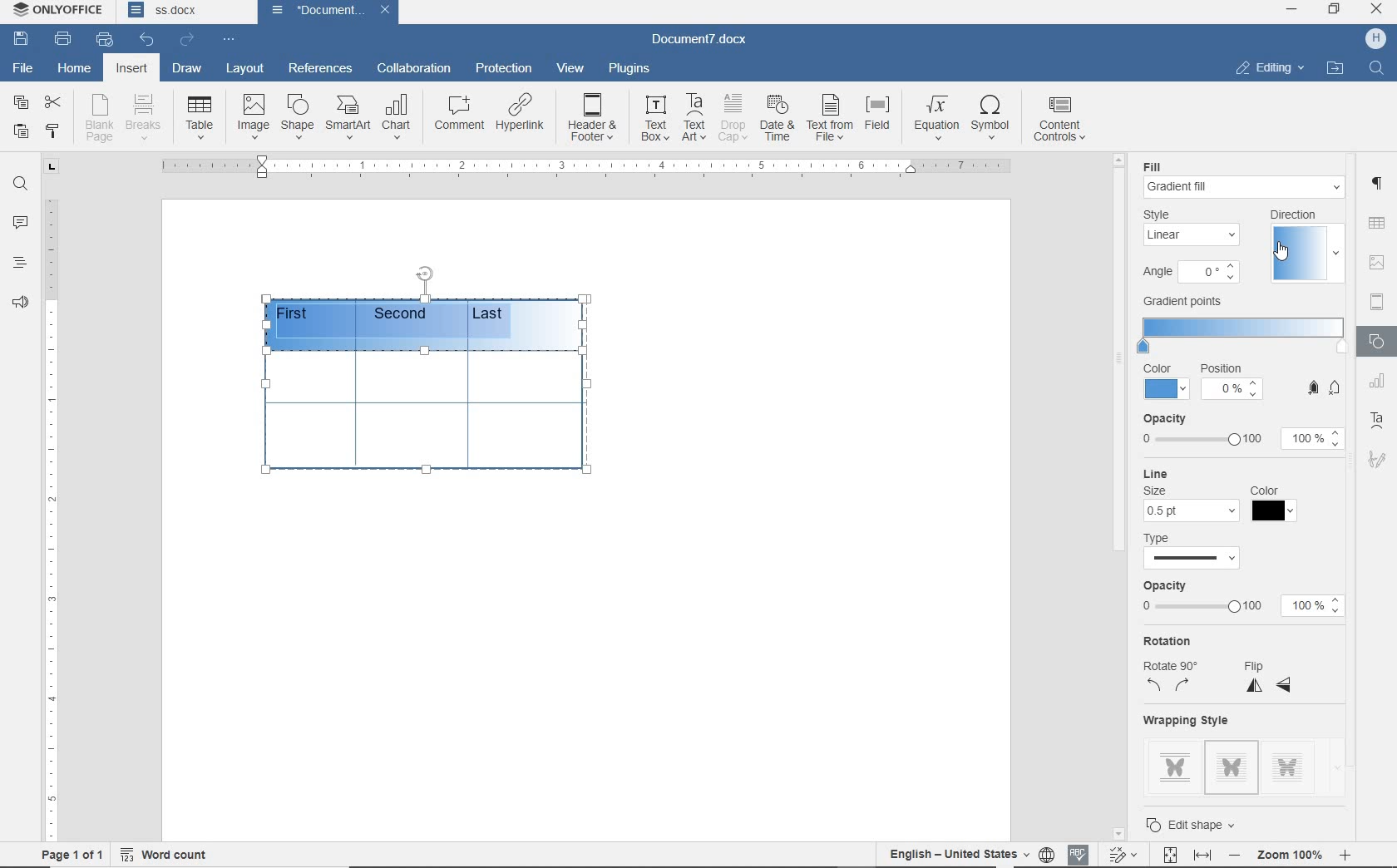  Describe the element at coordinates (959, 852) in the screenshot. I see `text language` at that location.